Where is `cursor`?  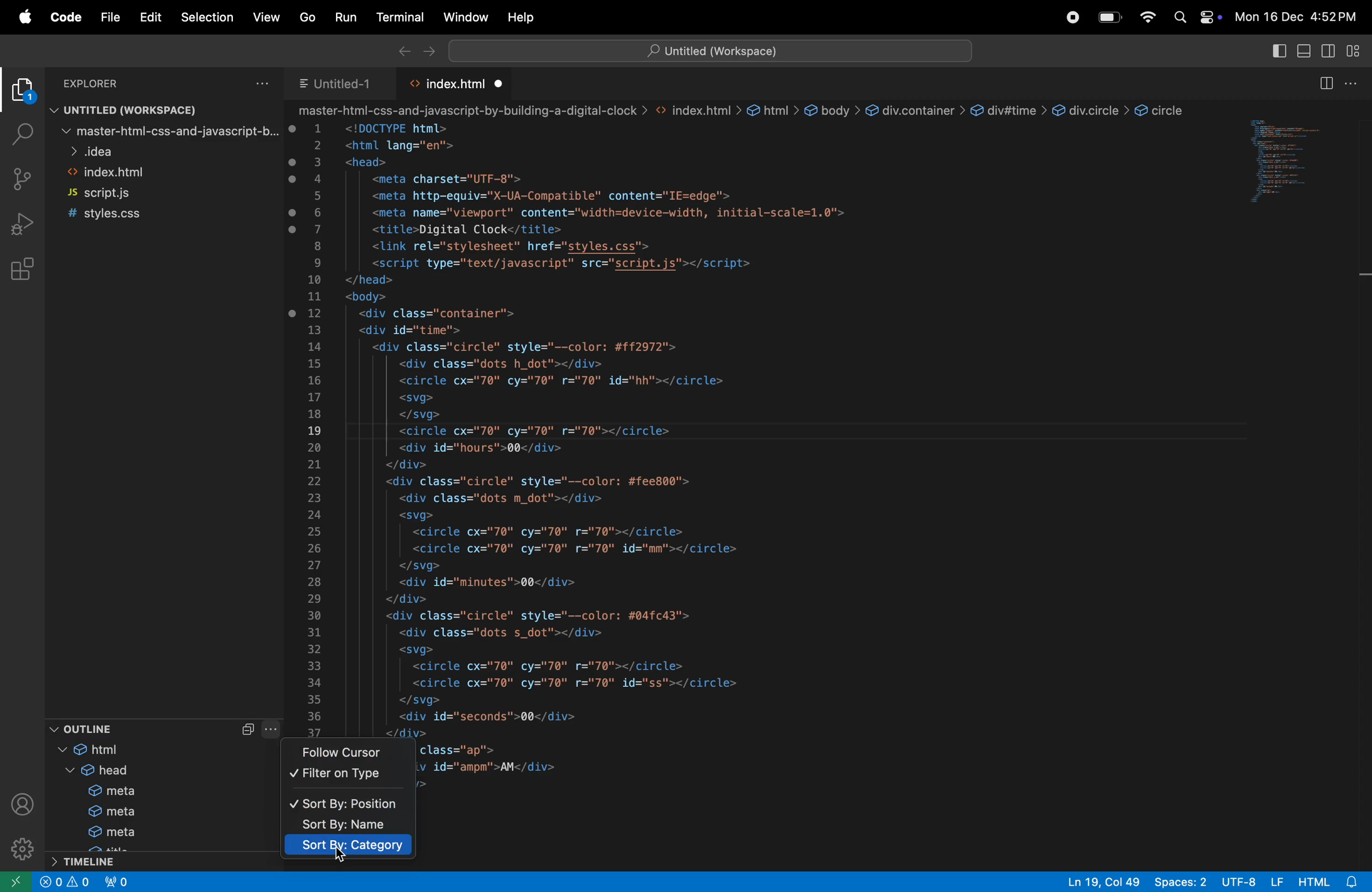
cursor is located at coordinates (344, 858).